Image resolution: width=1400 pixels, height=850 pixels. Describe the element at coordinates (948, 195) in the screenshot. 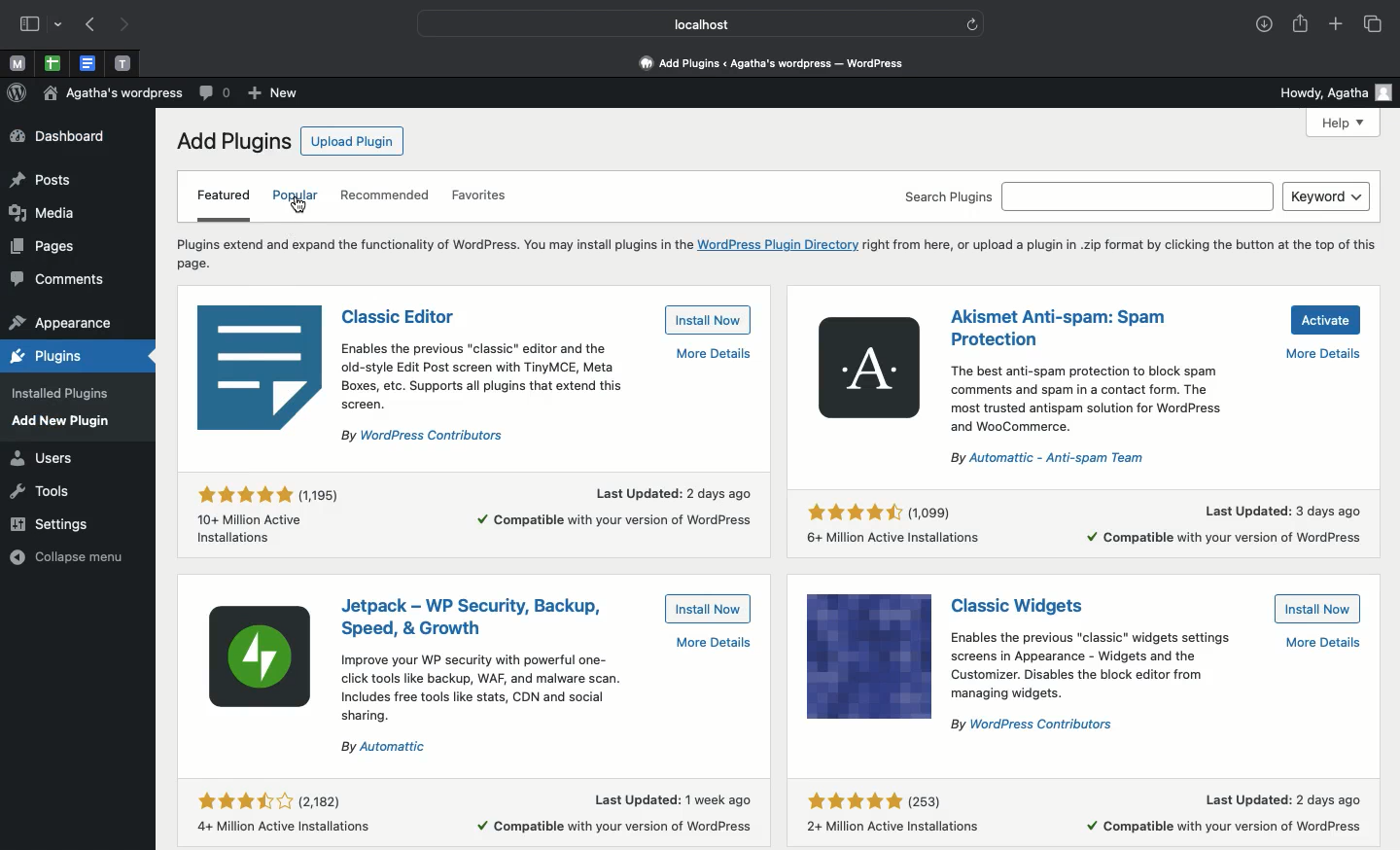

I see `Search plugins` at that location.